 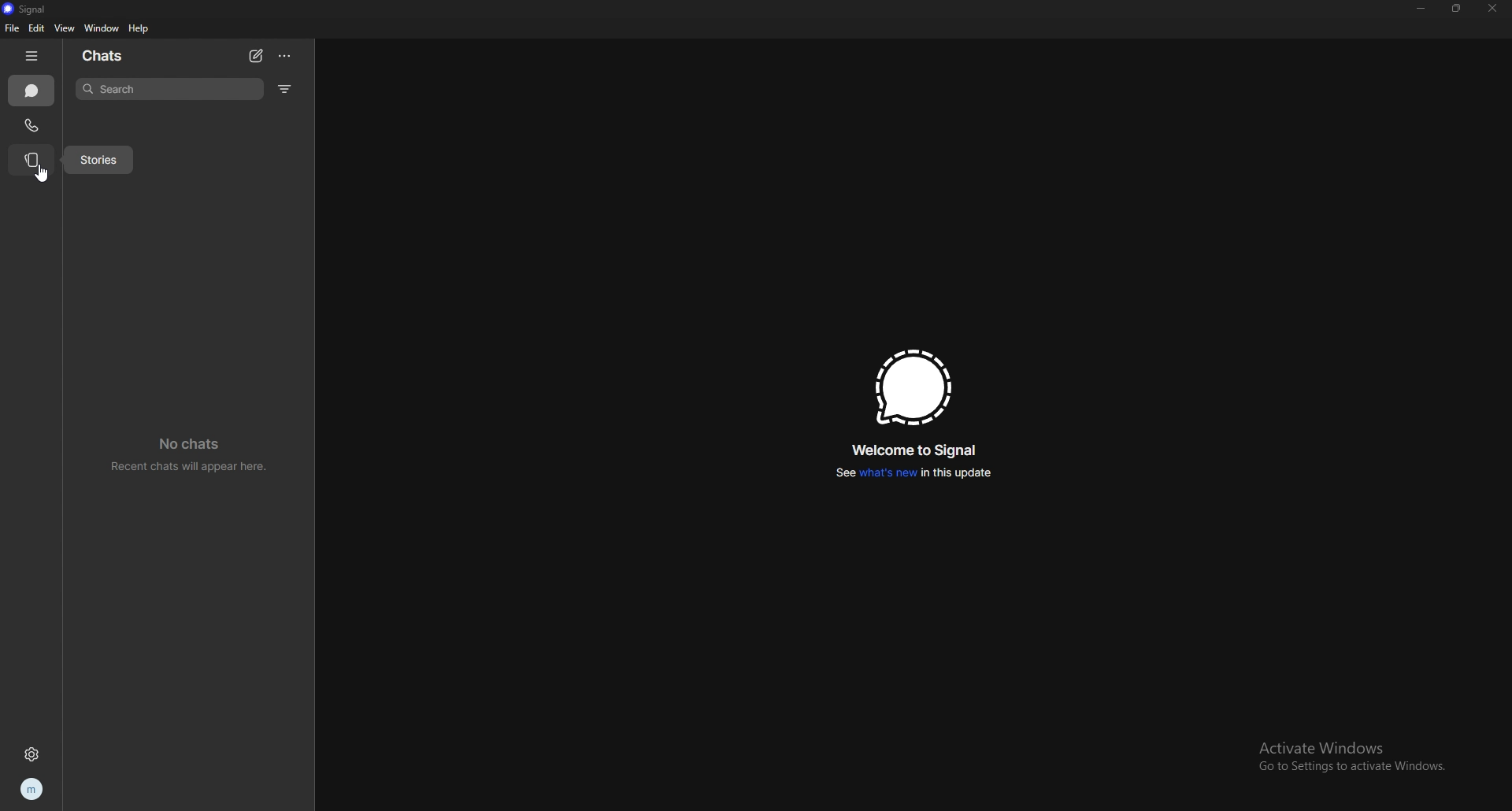 I want to click on file, so click(x=12, y=28).